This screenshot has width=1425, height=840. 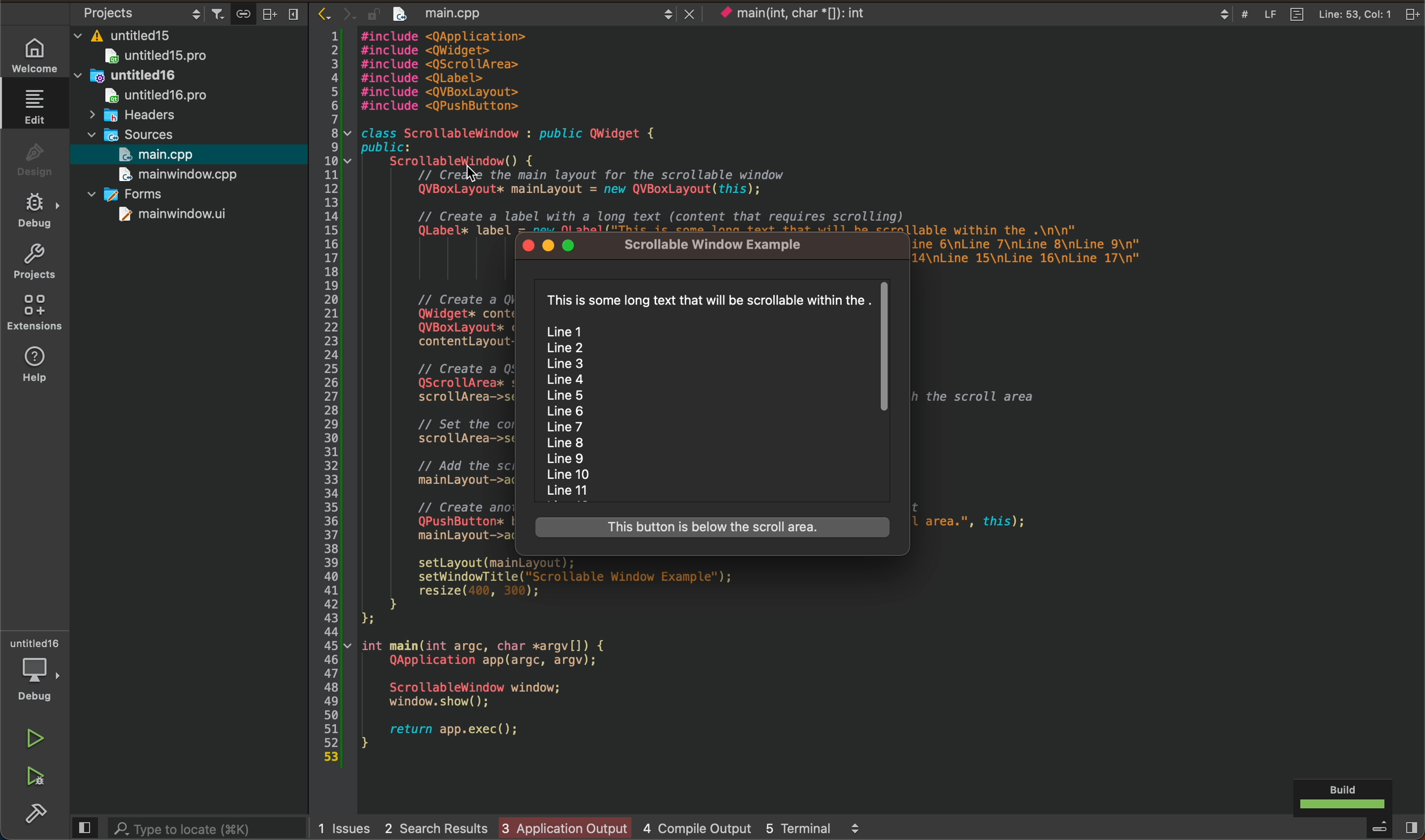 What do you see at coordinates (1315, 14) in the screenshot?
I see `file info` at bounding box center [1315, 14].